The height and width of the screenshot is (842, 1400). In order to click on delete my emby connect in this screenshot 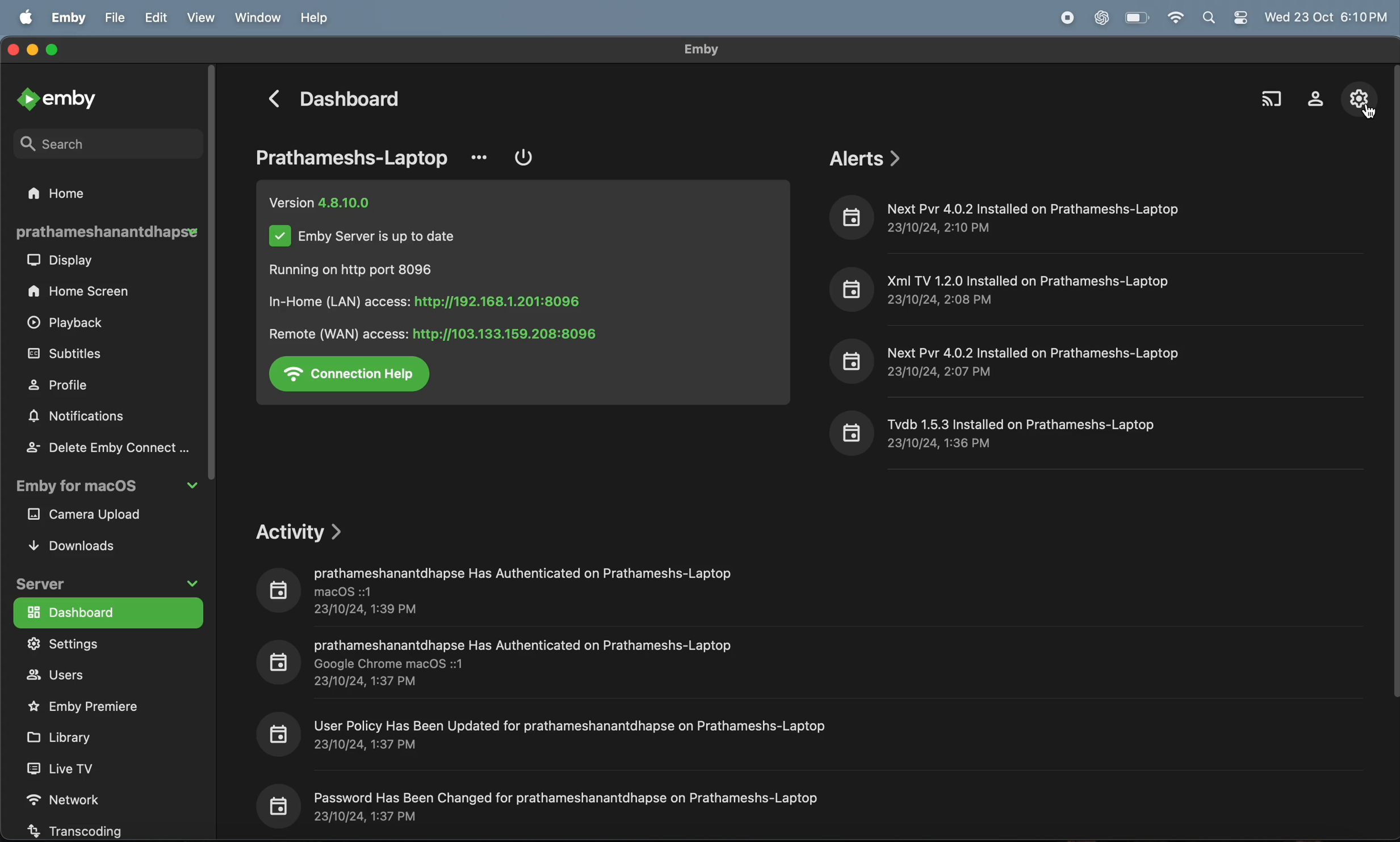, I will do `click(103, 452)`.